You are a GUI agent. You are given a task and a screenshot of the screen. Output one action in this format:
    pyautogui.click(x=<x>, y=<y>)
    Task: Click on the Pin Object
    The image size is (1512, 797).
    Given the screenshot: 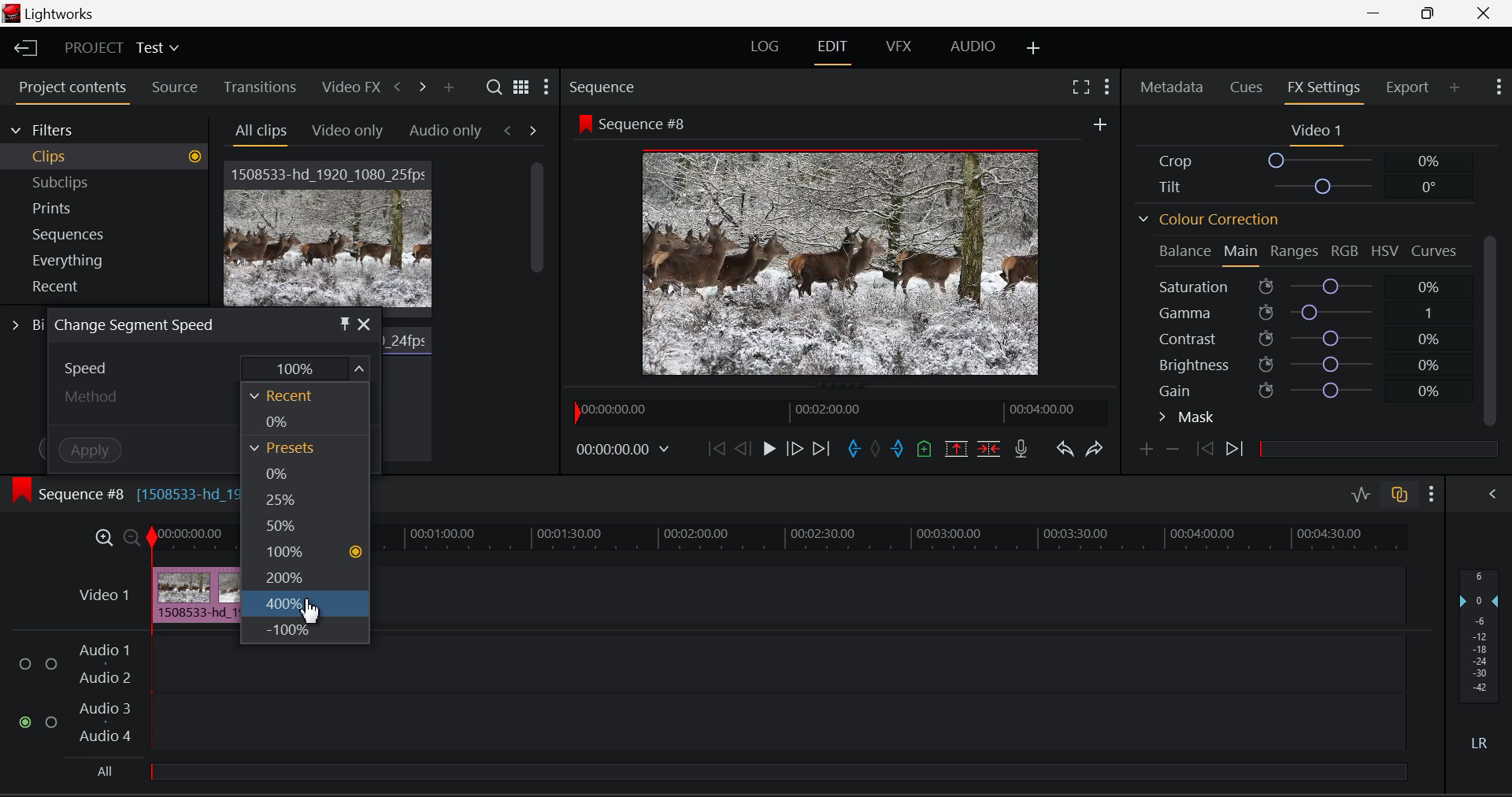 What is the action you would take?
    pyautogui.click(x=344, y=325)
    